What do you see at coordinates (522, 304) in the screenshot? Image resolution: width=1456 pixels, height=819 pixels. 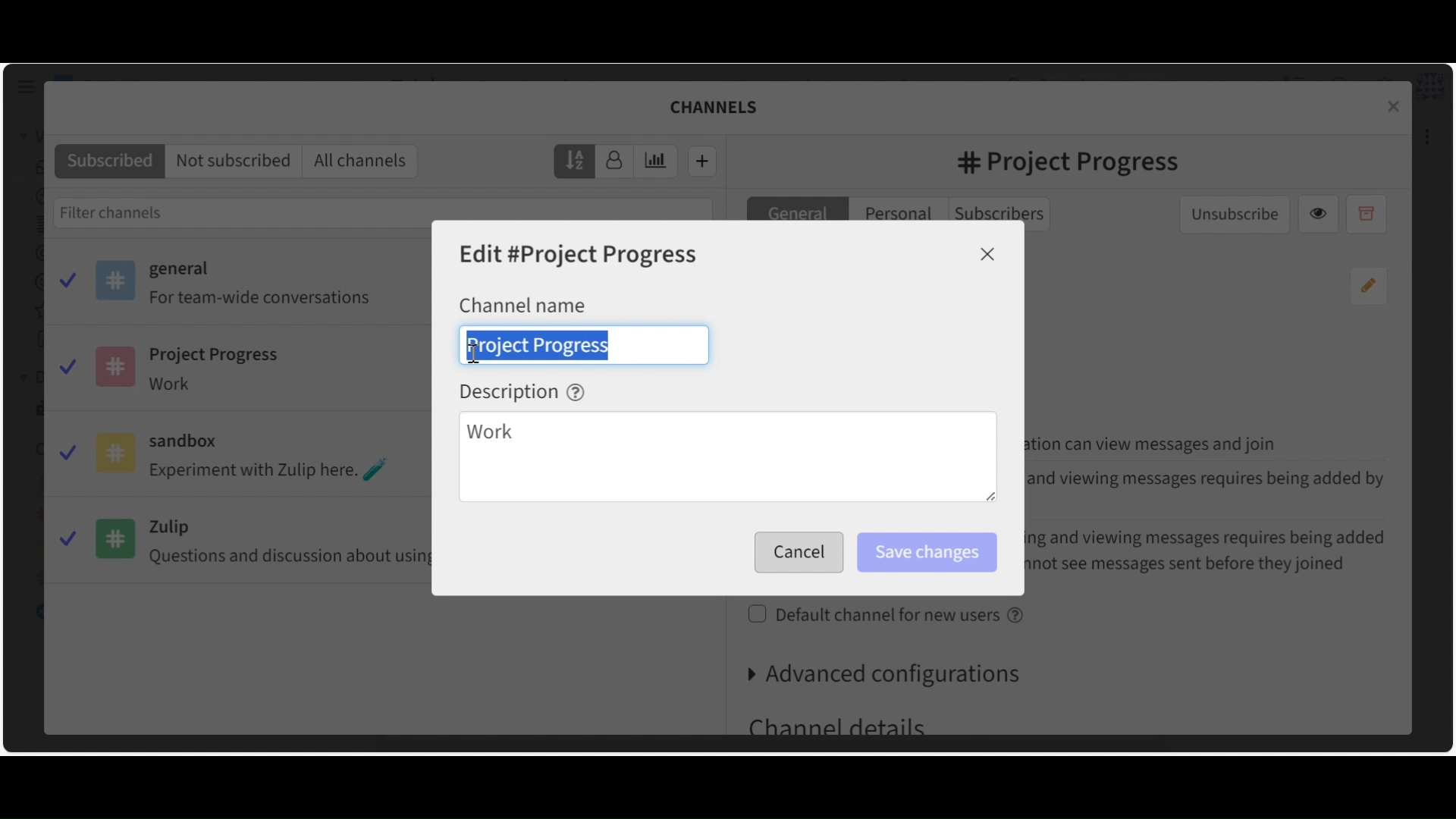 I see `Channel Name` at bounding box center [522, 304].